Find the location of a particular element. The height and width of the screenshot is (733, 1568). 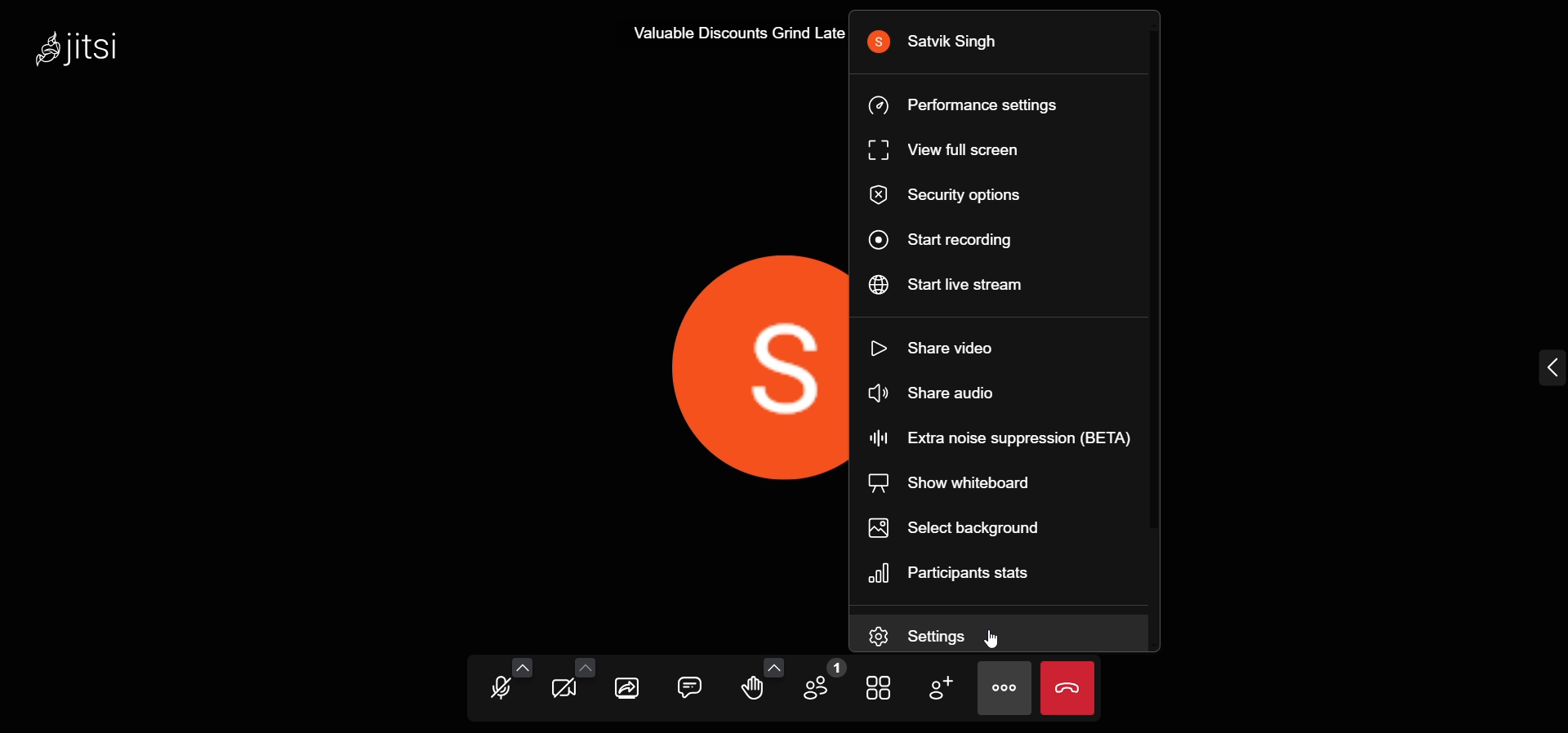

more audio option is located at coordinates (519, 668).